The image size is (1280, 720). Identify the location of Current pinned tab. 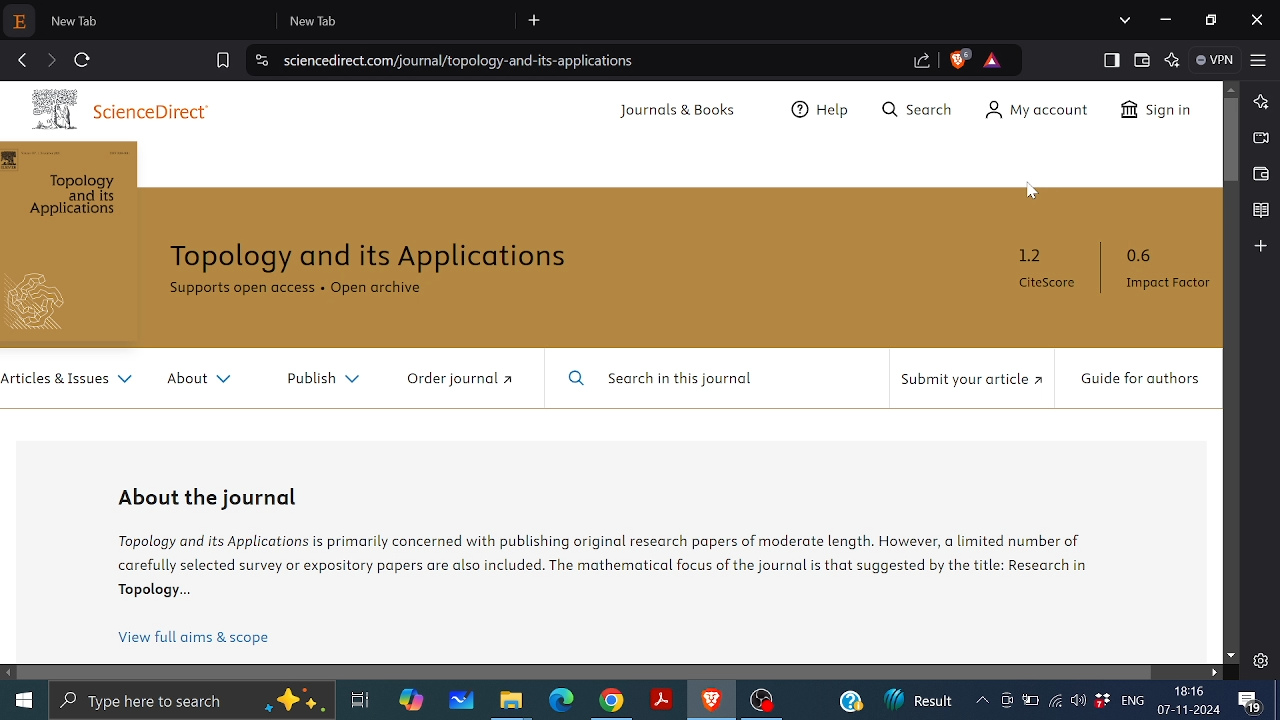
(21, 22).